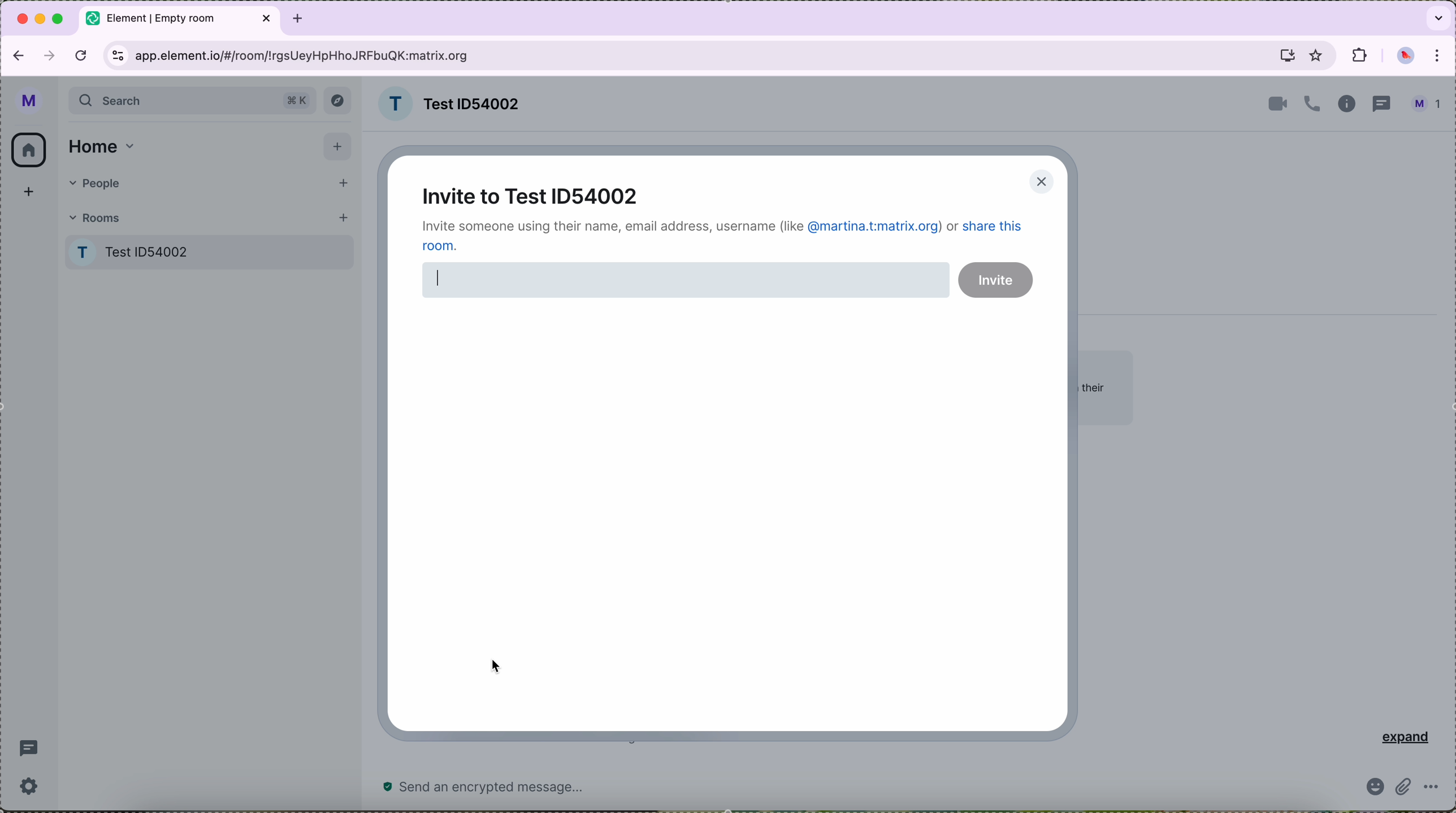 This screenshot has width=1456, height=813. Describe the element at coordinates (340, 147) in the screenshot. I see `add button` at that location.